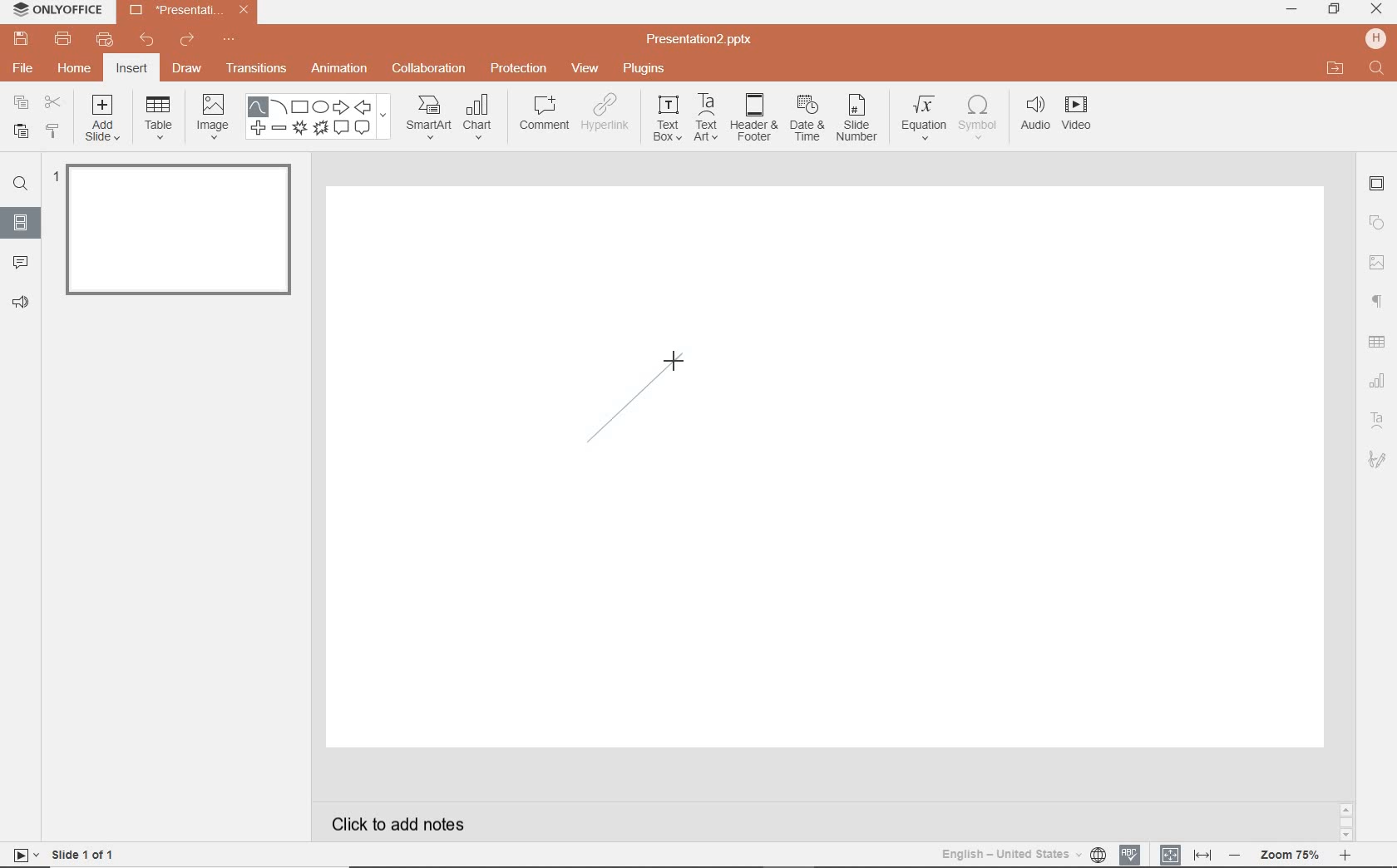  What do you see at coordinates (213, 115) in the screenshot?
I see `IMAGE` at bounding box center [213, 115].